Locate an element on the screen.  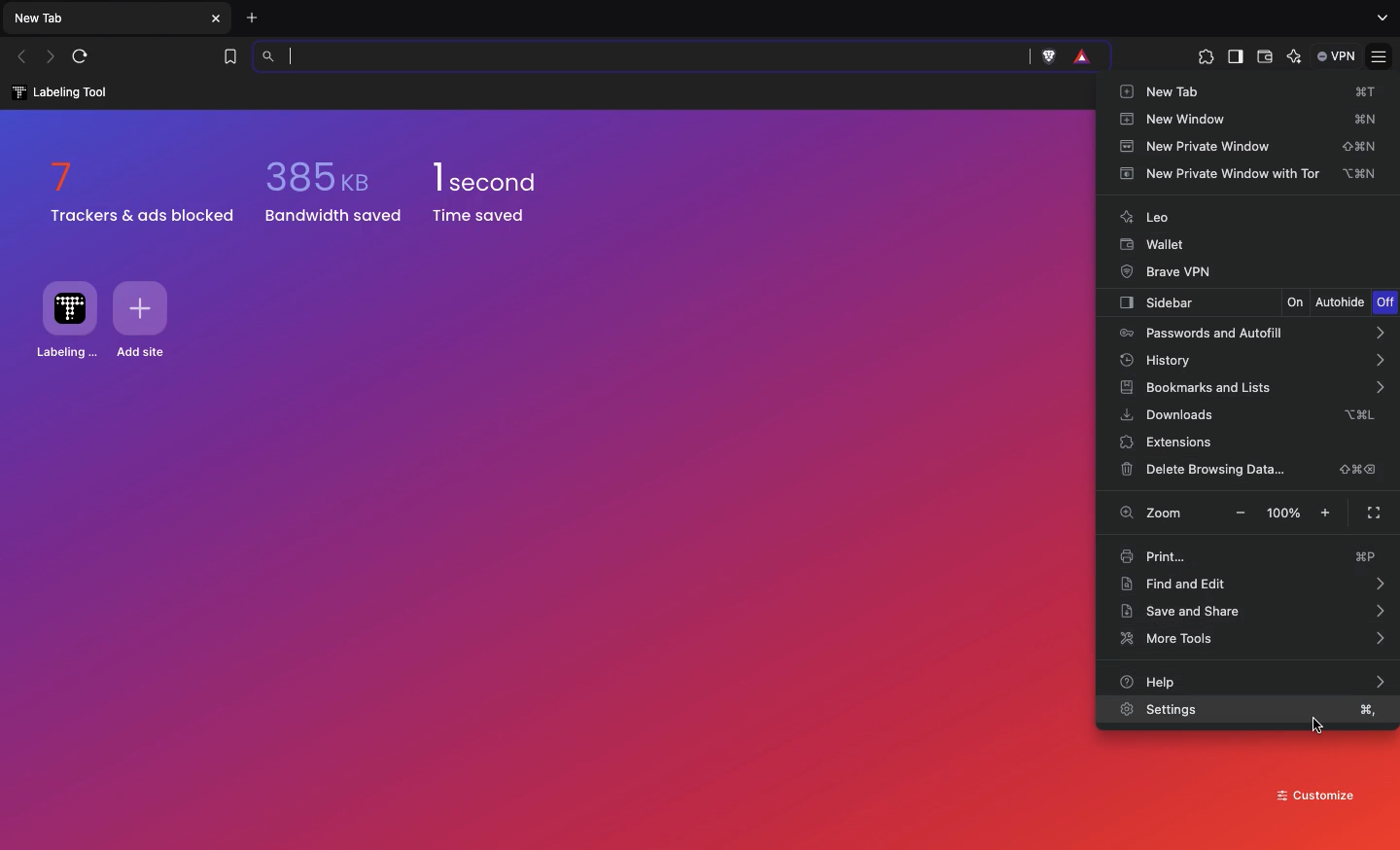
Sidebar is located at coordinates (1191, 303).